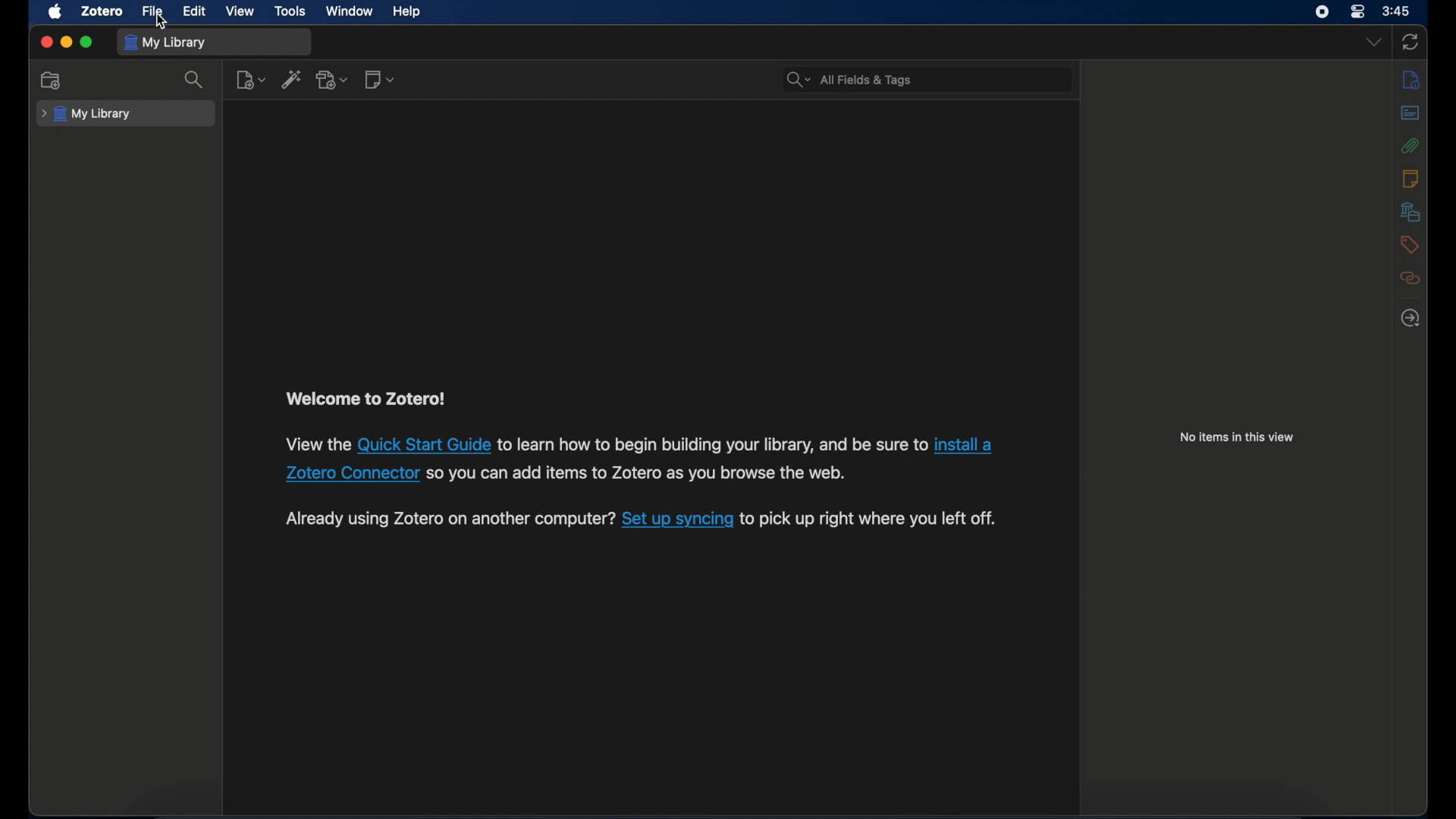 The height and width of the screenshot is (819, 1456). Describe the element at coordinates (86, 114) in the screenshot. I see `my library` at that location.